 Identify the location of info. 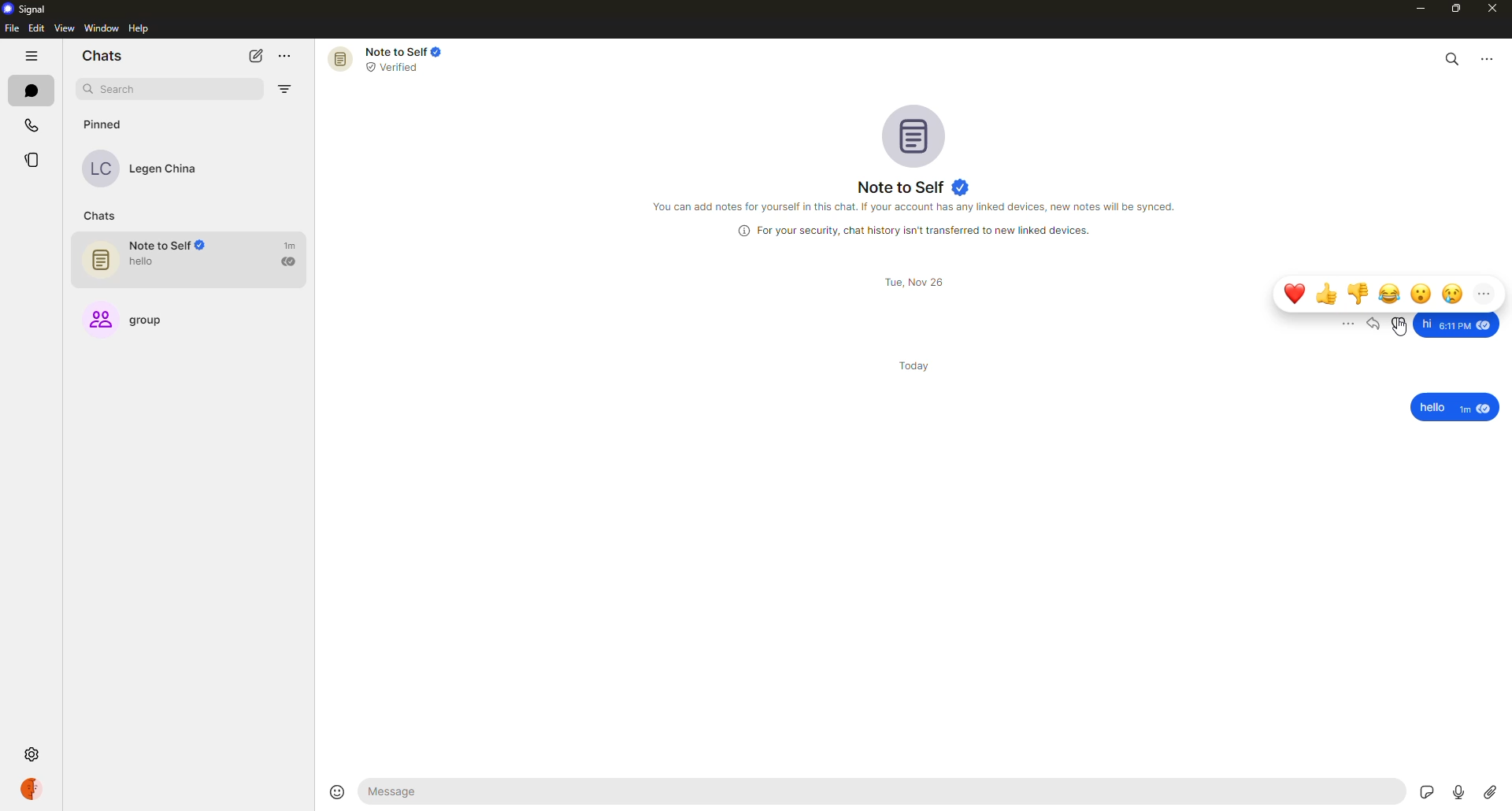
(917, 230).